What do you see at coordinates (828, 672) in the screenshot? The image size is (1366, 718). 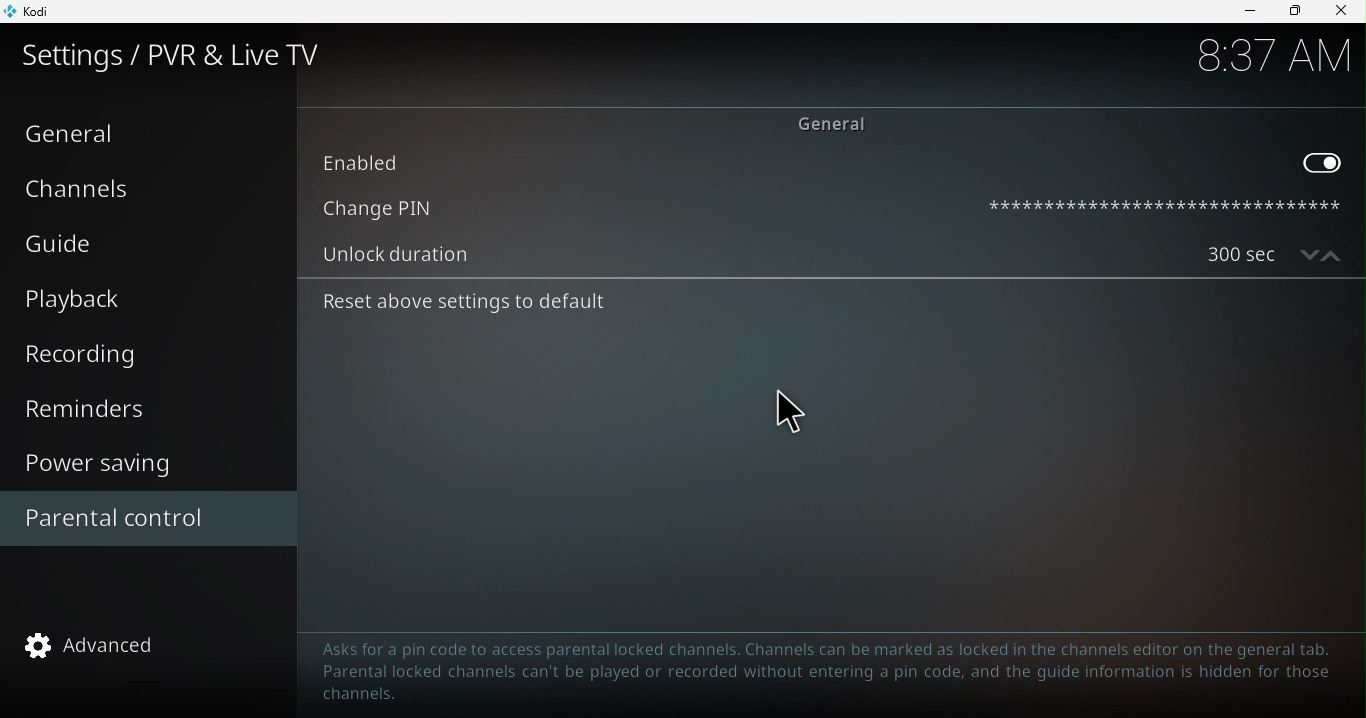 I see `Text to guide to help parental control configuration` at bounding box center [828, 672].